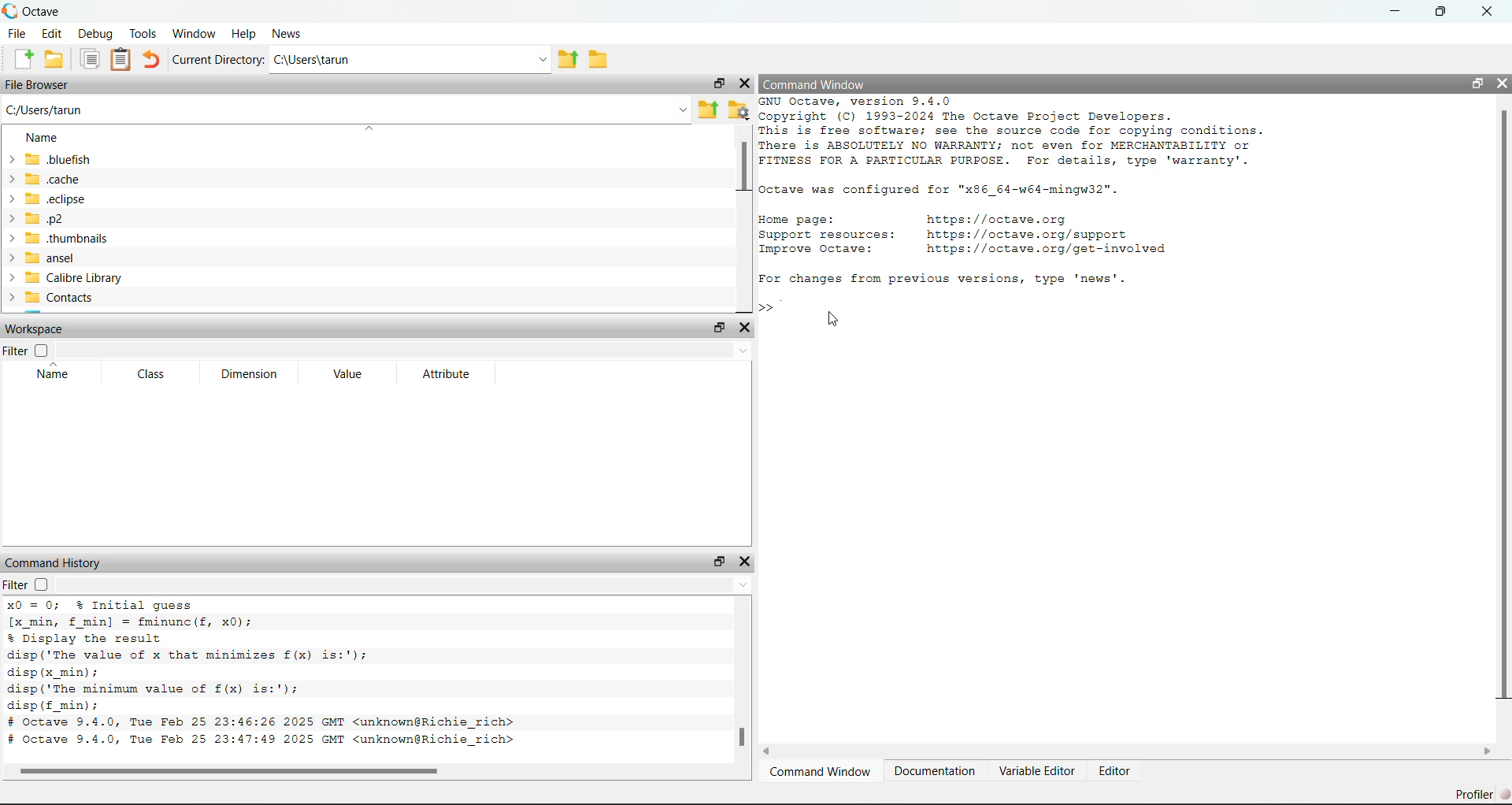  What do you see at coordinates (1503, 80) in the screenshot?
I see `Close` at bounding box center [1503, 80].